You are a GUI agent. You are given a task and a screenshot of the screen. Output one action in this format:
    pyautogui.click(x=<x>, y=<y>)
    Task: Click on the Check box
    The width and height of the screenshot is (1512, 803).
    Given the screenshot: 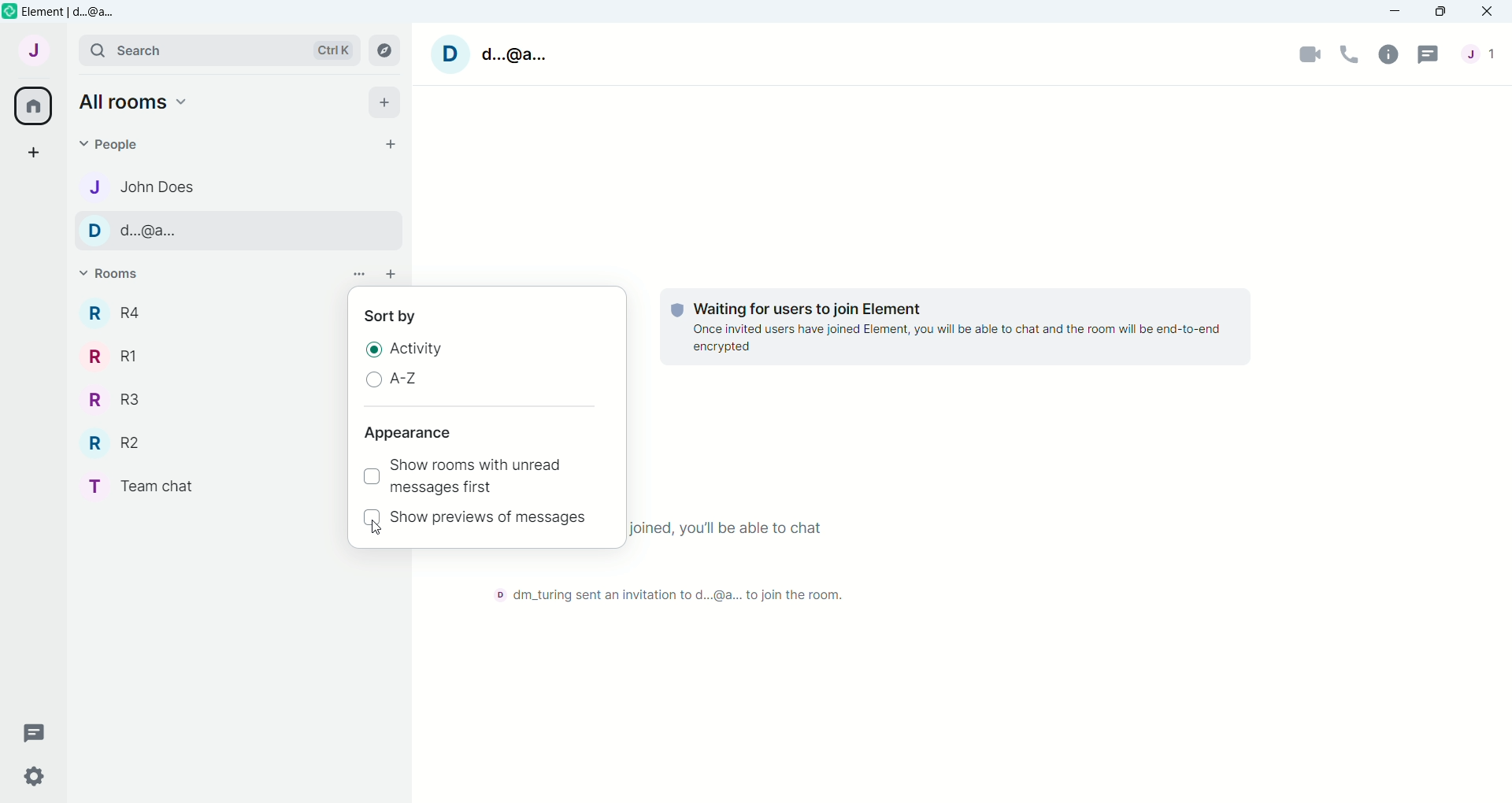 What is the action you would take?
    pyautogui.click(x=369, y=475)
    